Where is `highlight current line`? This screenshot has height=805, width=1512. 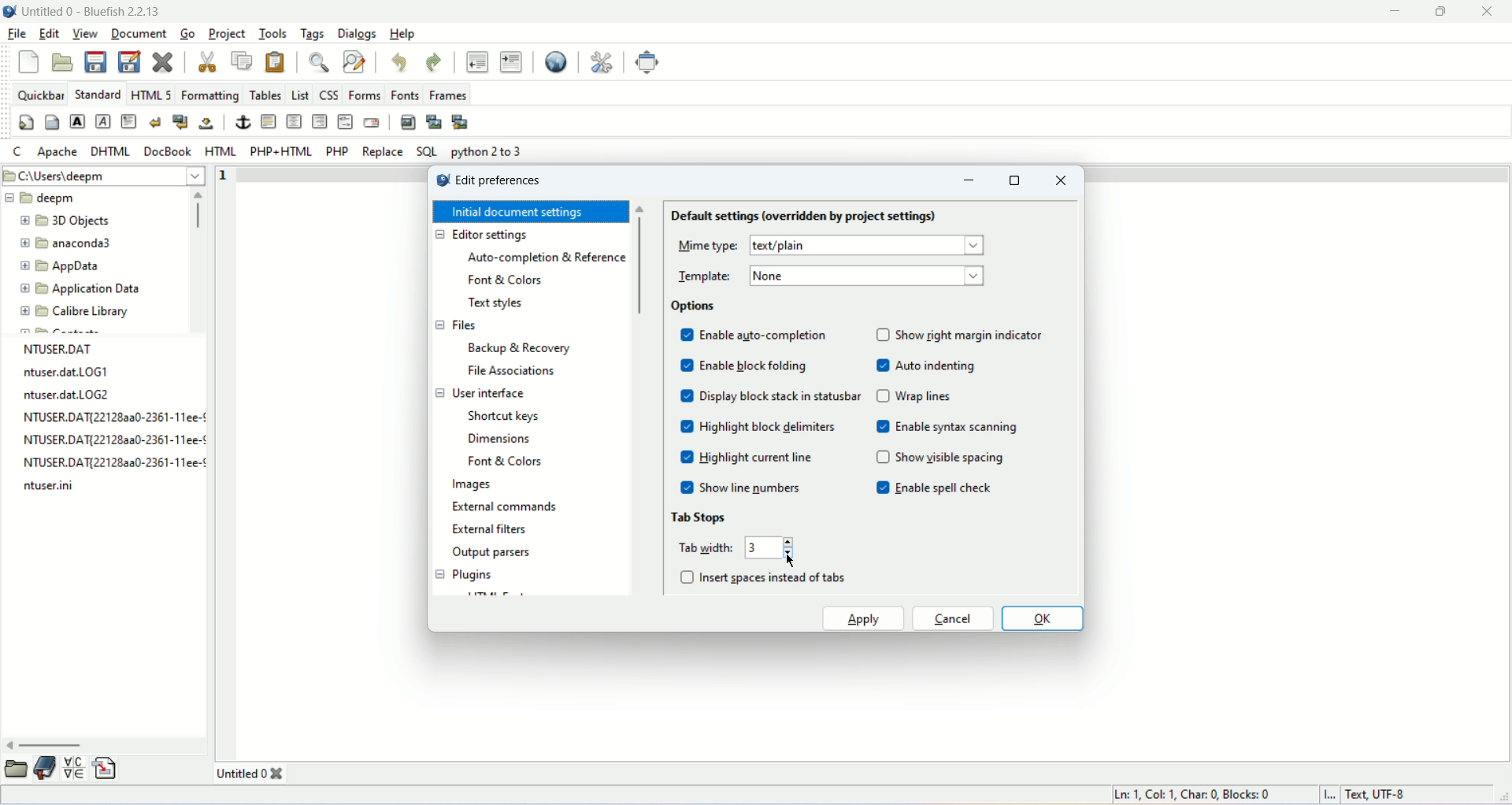
highlight current line is located at coordinates (755, 459).